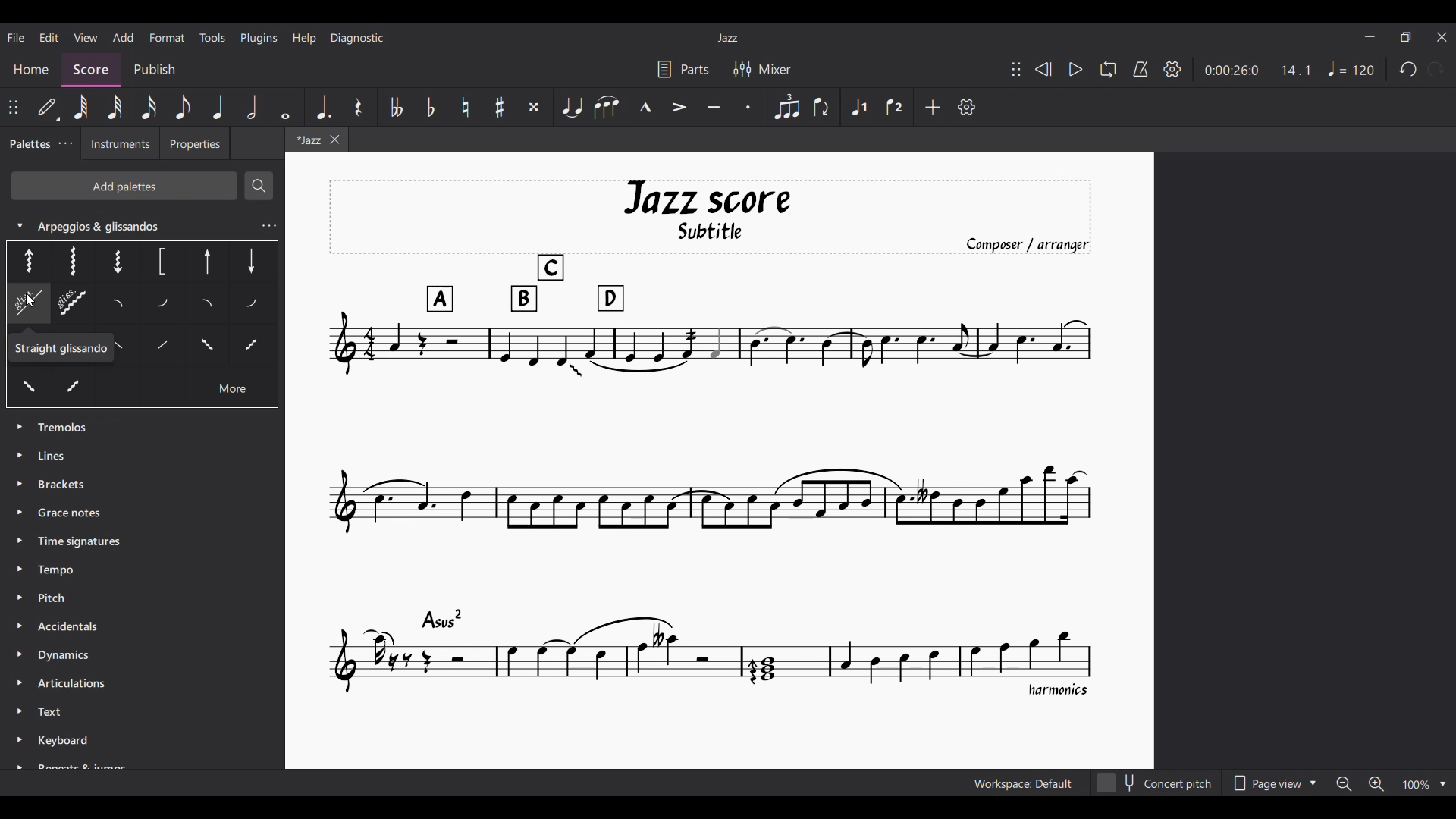 This screenshot has height=819, width=1456. What do you see at coordinates (534, 107) in the screenshot?
I see `Toggle double sharp` at bounding box center [534, 107].